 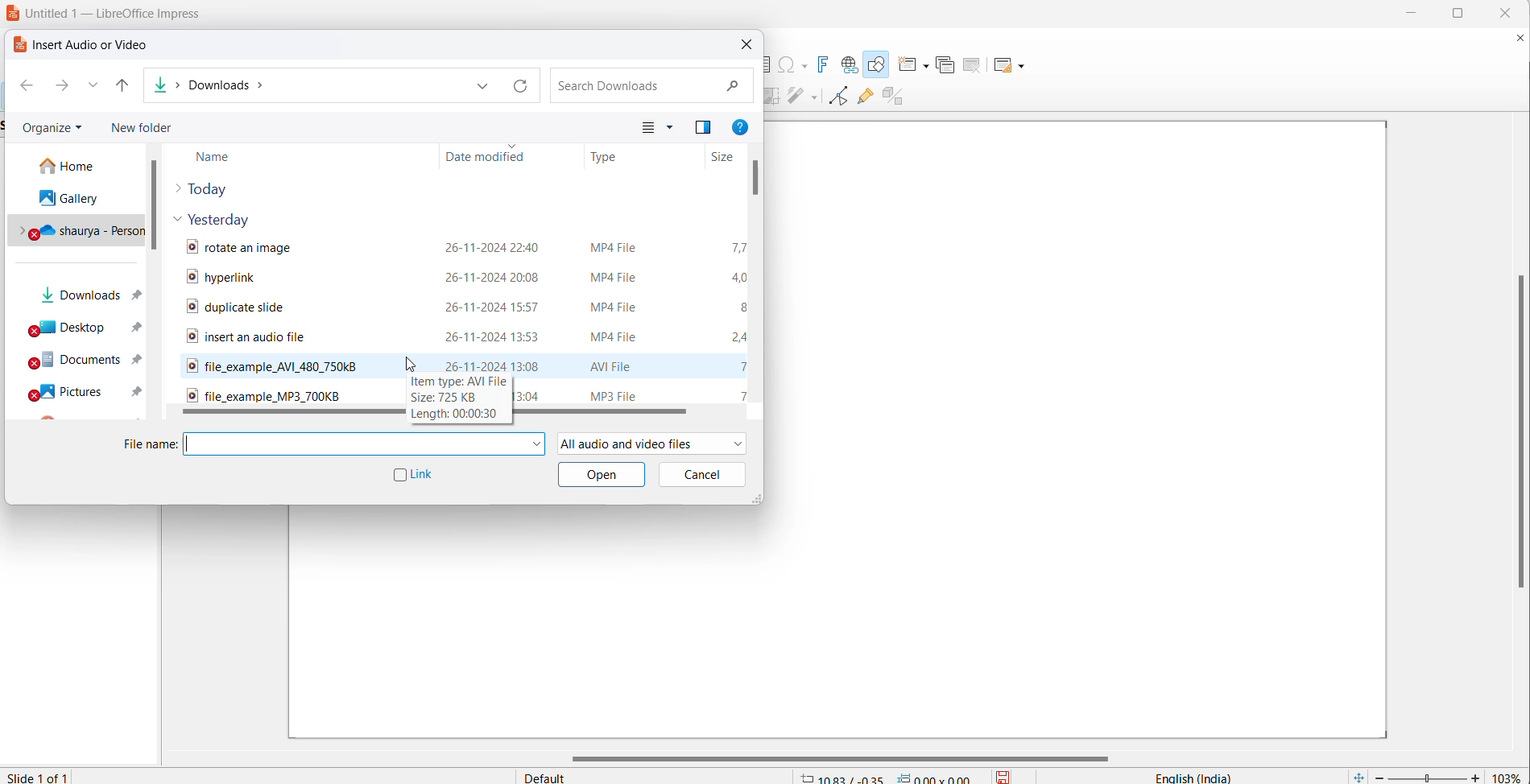 What do you see at coordinates (614, 394) in the screenshot?
I see `audio file format` at bounding box center [614, 394].